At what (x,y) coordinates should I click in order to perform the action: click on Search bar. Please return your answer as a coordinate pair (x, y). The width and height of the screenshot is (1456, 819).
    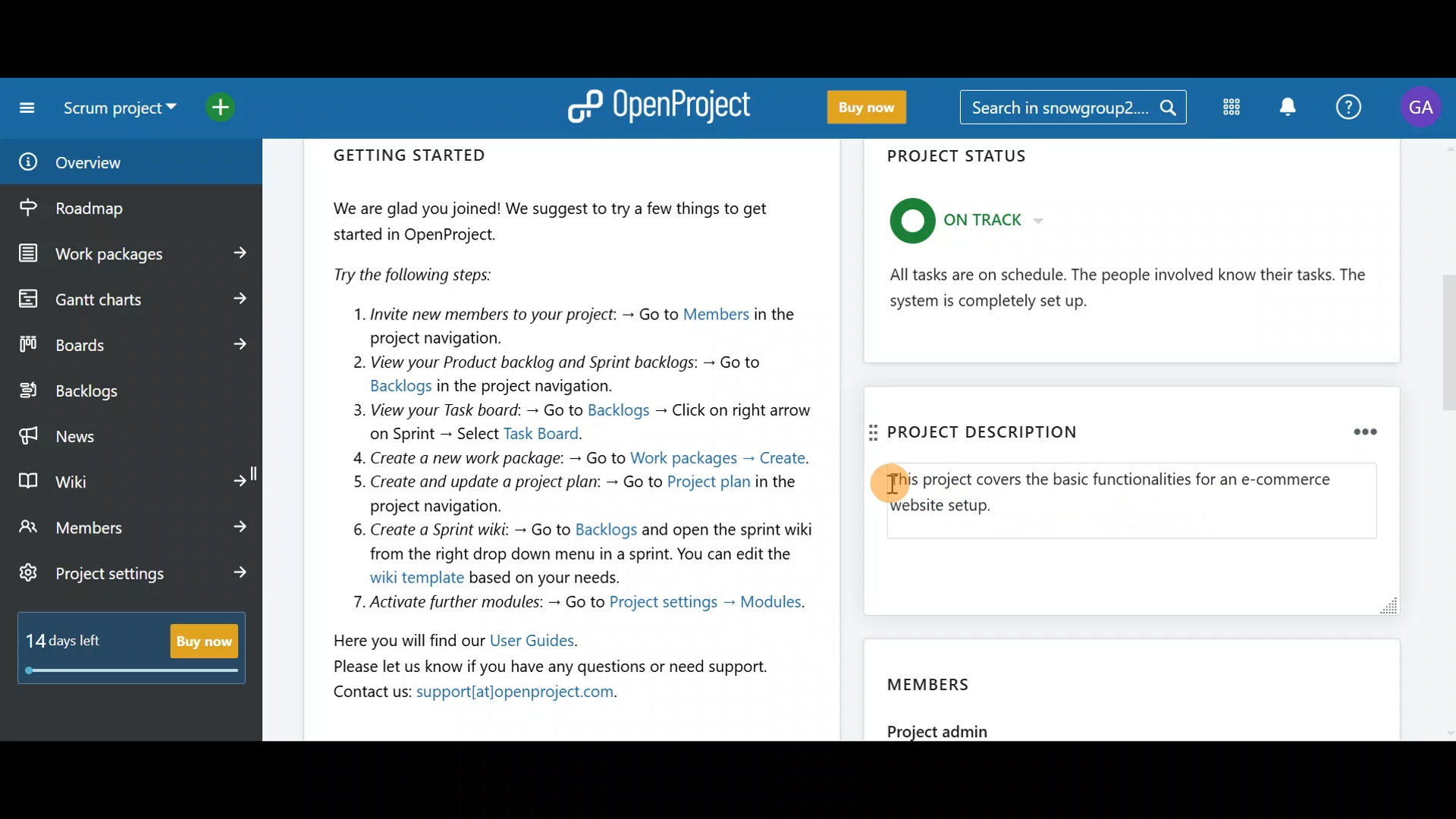
    Looking at the image, I should click on (1072, 110).